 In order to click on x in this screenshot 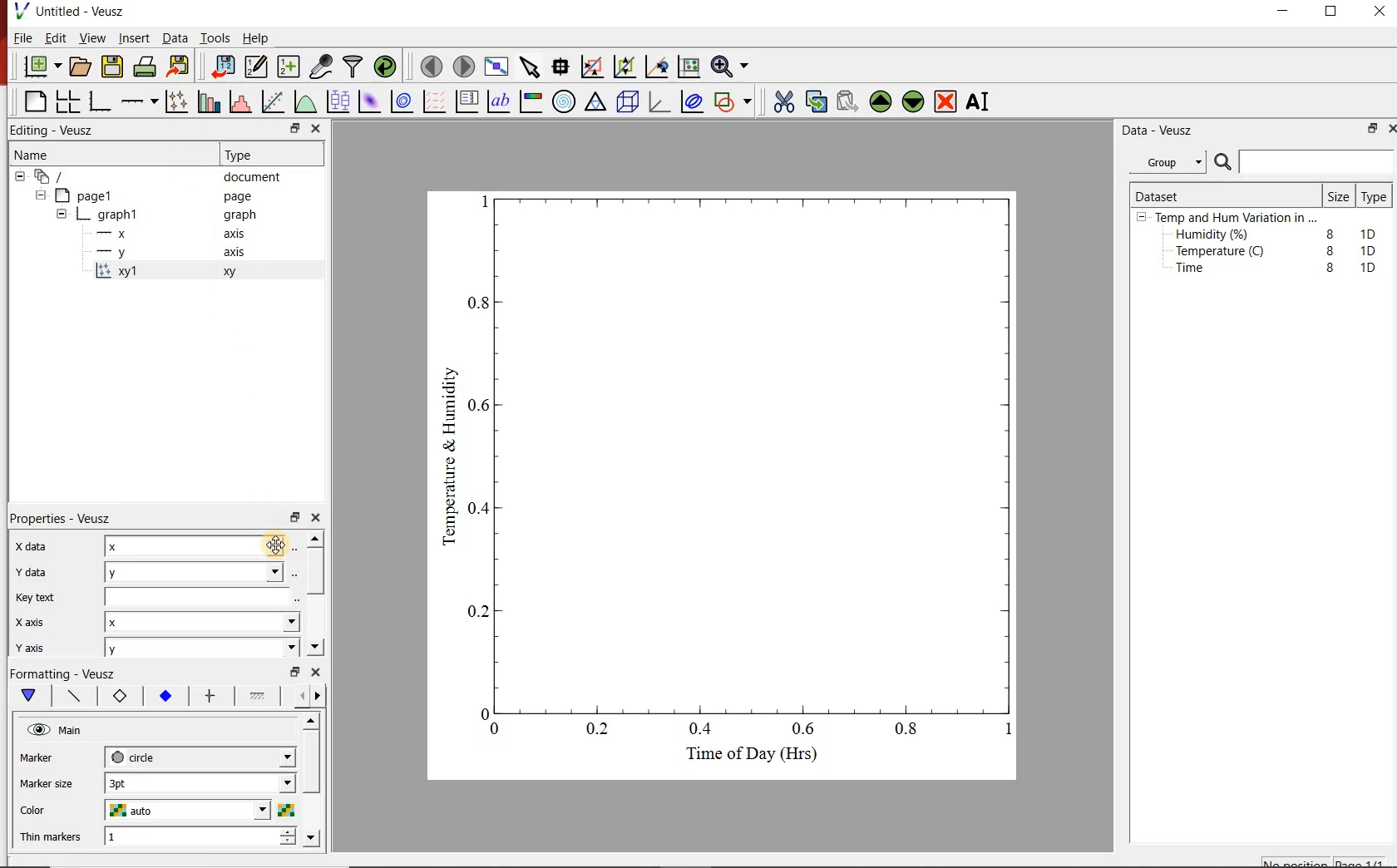, I will do `click(146, 547)`.